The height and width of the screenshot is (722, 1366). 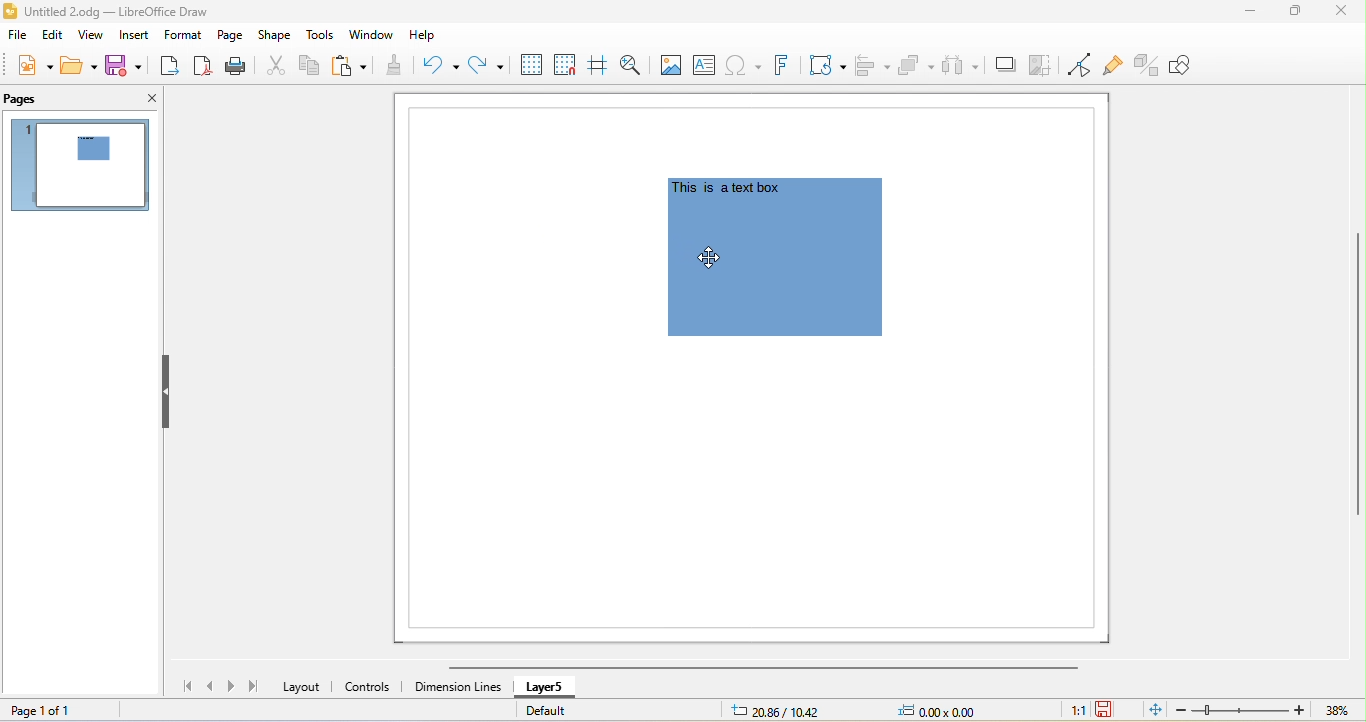 What do you see at coordinates (785, 66) in the screenshot?
I see `font work text` at bounding box center [785, 66].